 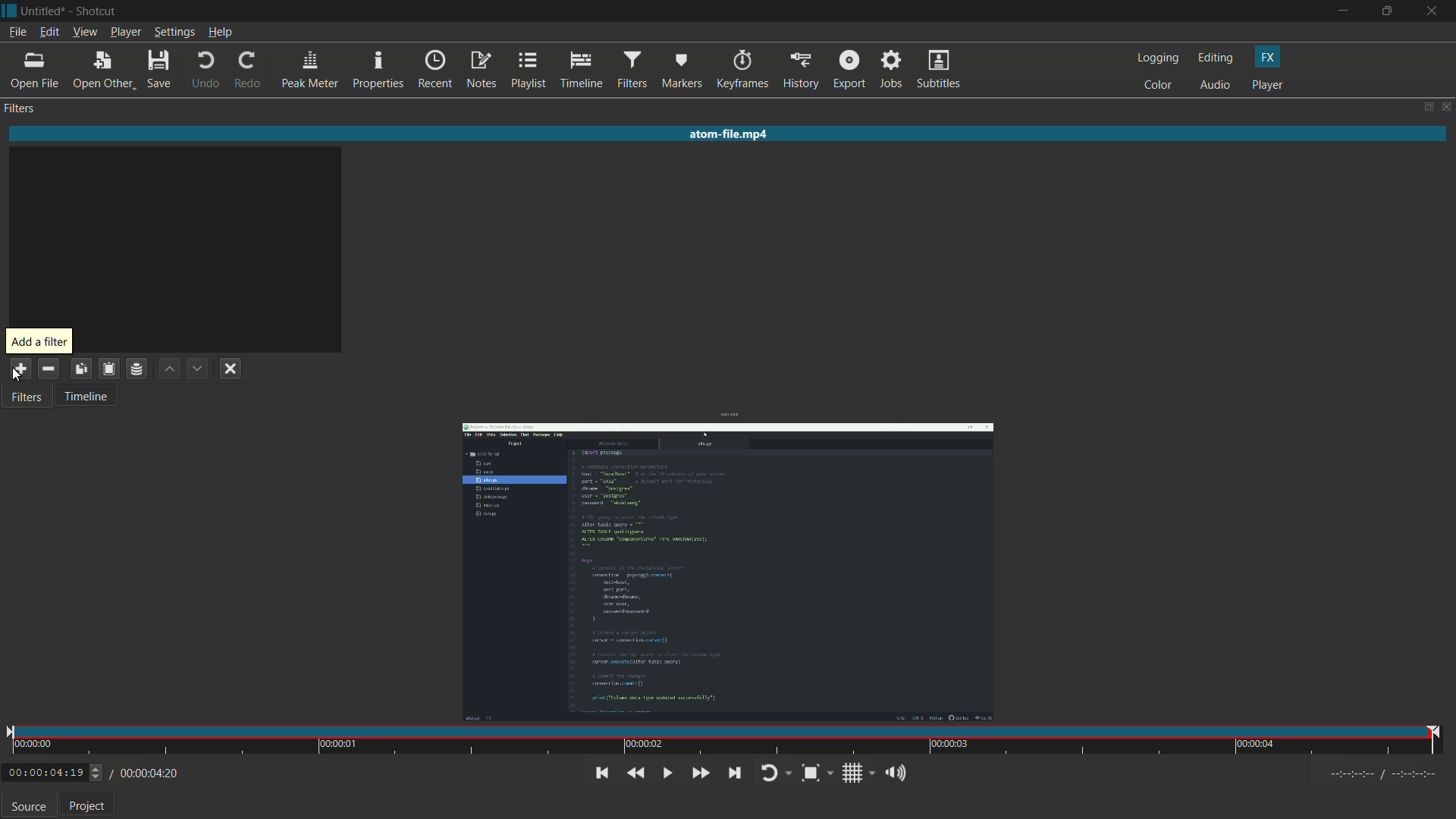 I want to click on timeline, so click(x=579, y=71).